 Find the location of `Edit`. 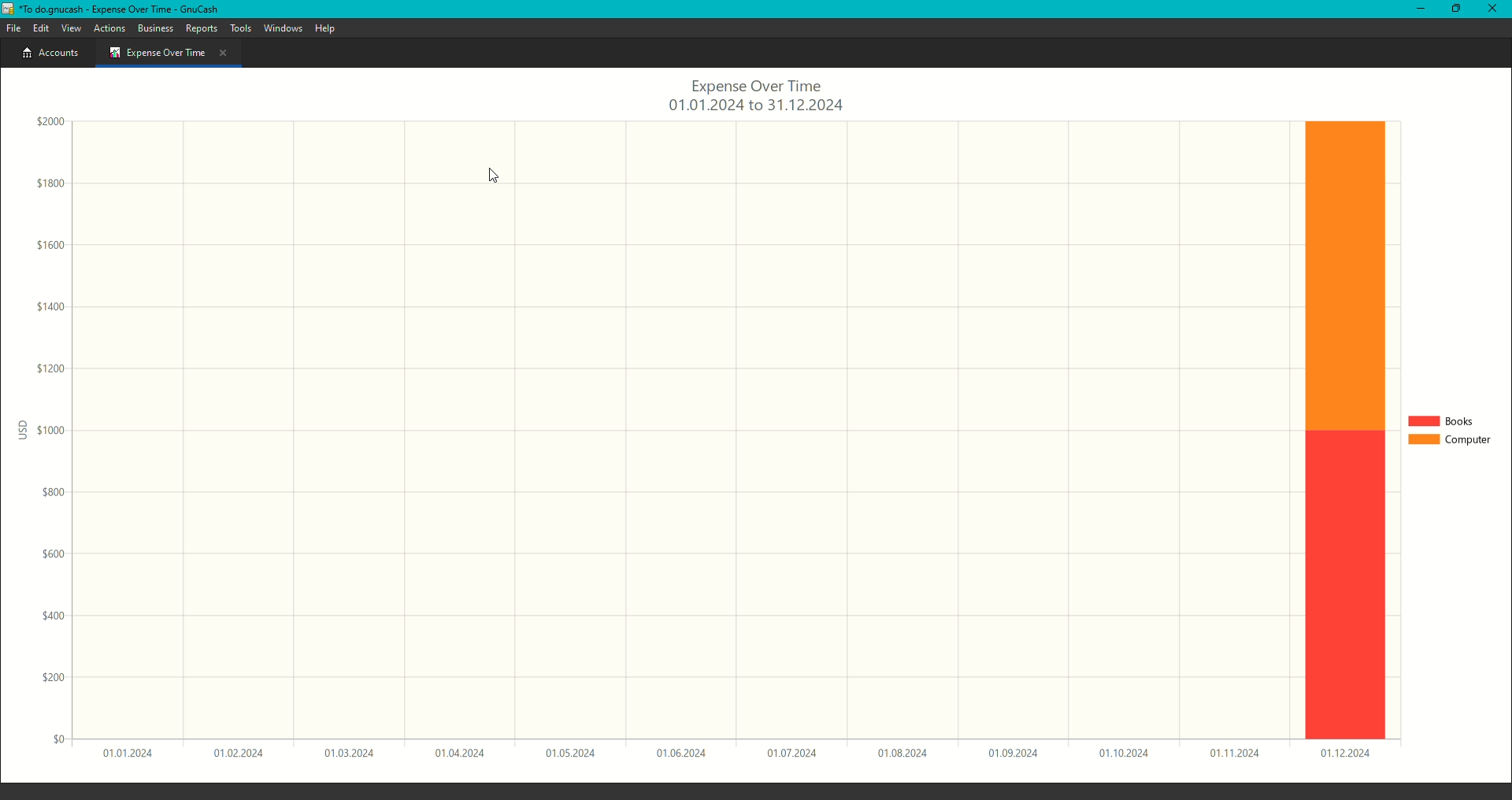

Edit is located at coordinates (39, 27).